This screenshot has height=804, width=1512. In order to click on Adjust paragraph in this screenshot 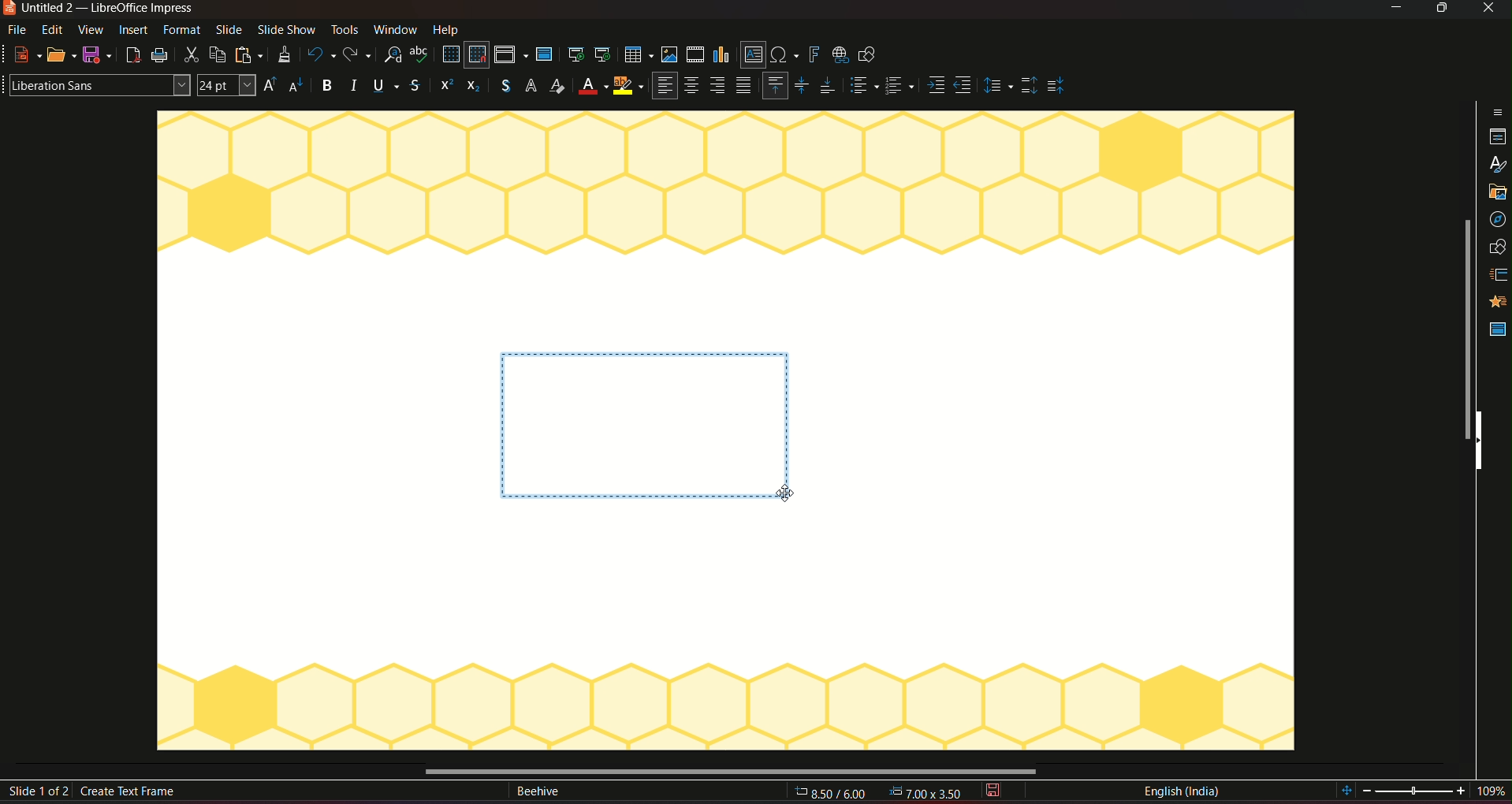, I will do `click(996, 87)`.